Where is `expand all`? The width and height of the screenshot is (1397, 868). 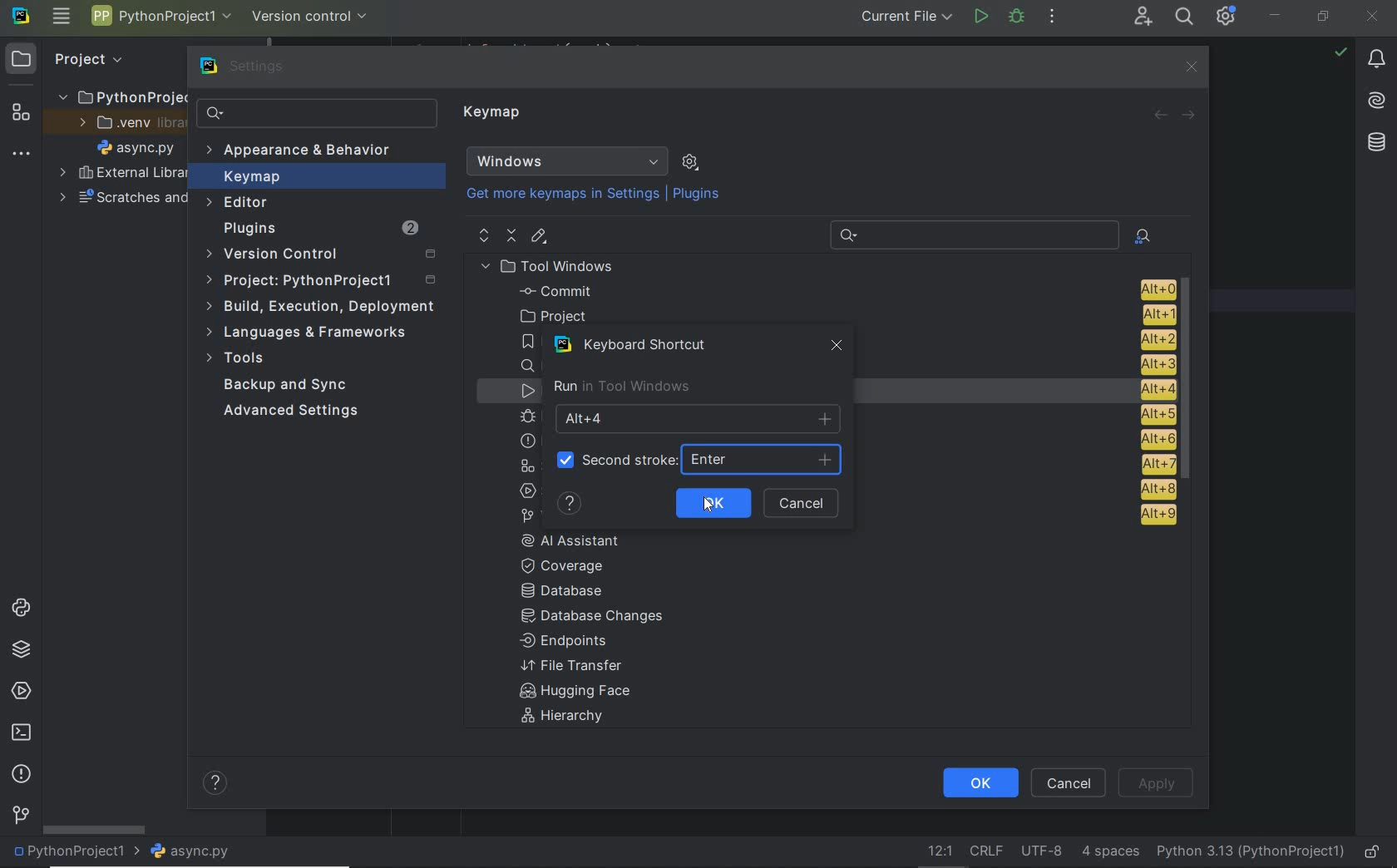 expand all is located at coordinates (482, 235).